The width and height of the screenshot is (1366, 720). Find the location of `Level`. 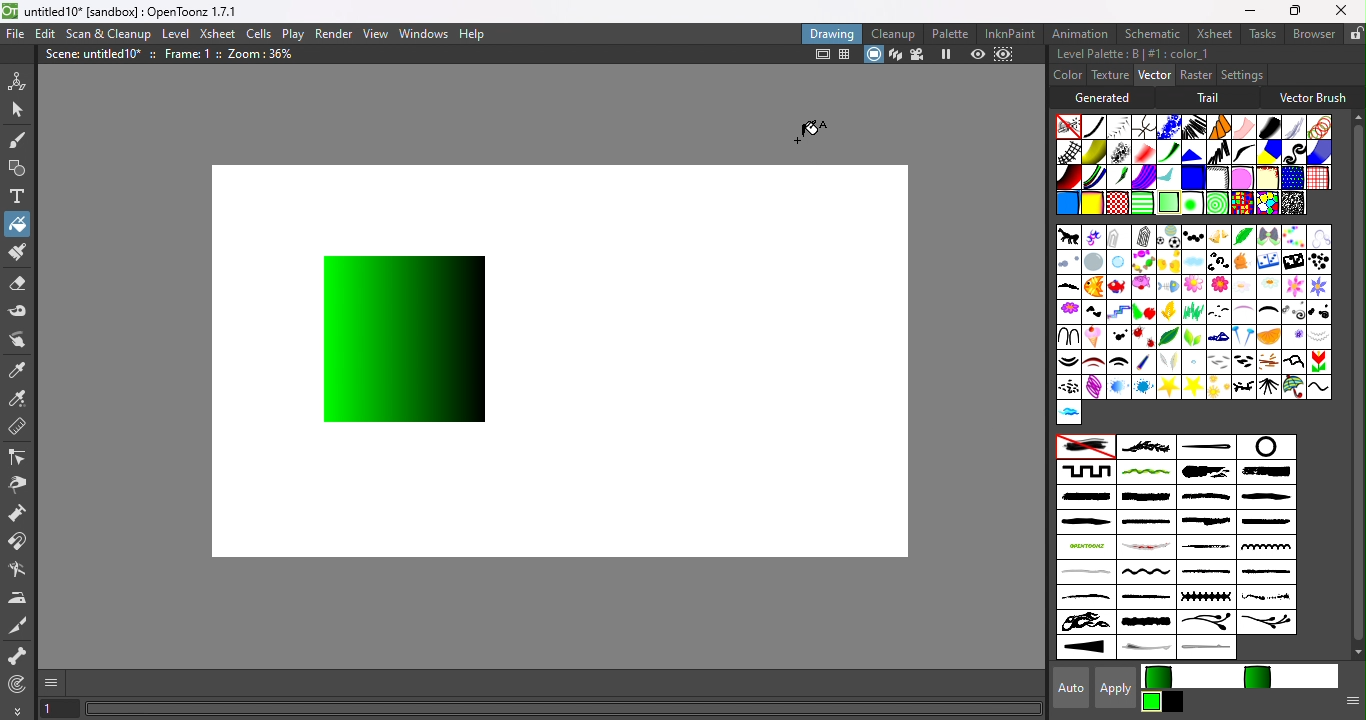

Level is located at coordinates (178, 34).